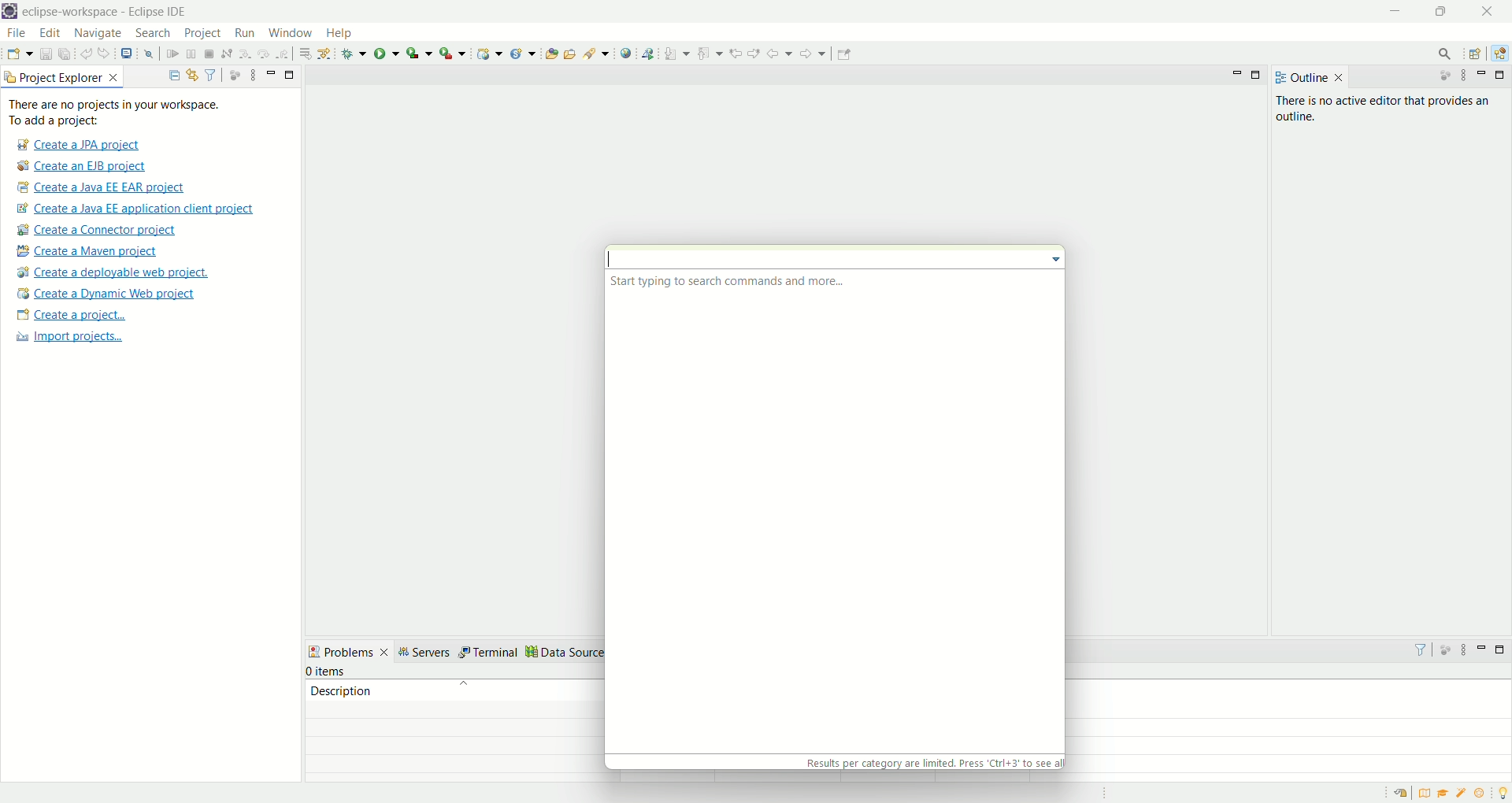  Describe the element at coordinates (1401, 793) in the screenshot. I see `restore welcome` at that location.